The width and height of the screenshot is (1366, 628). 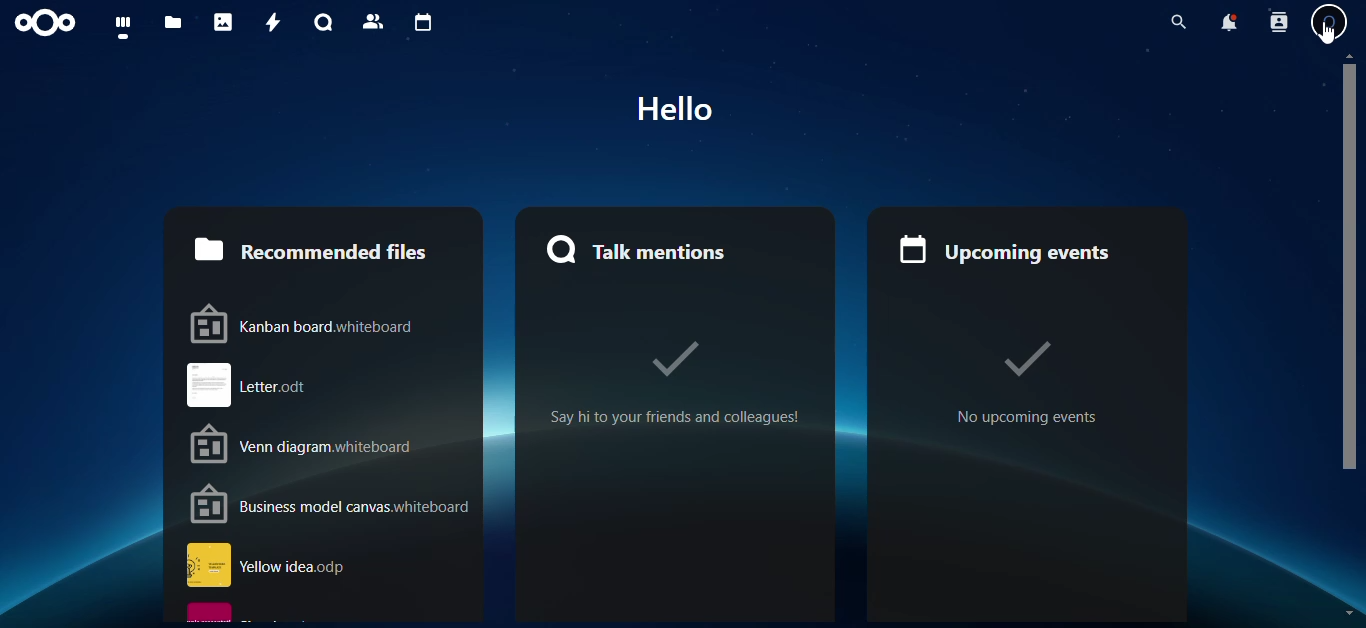 What do you see at coordinates (675, 108) in the screenshot?
I see `hello` at bounding box center [675, 108].